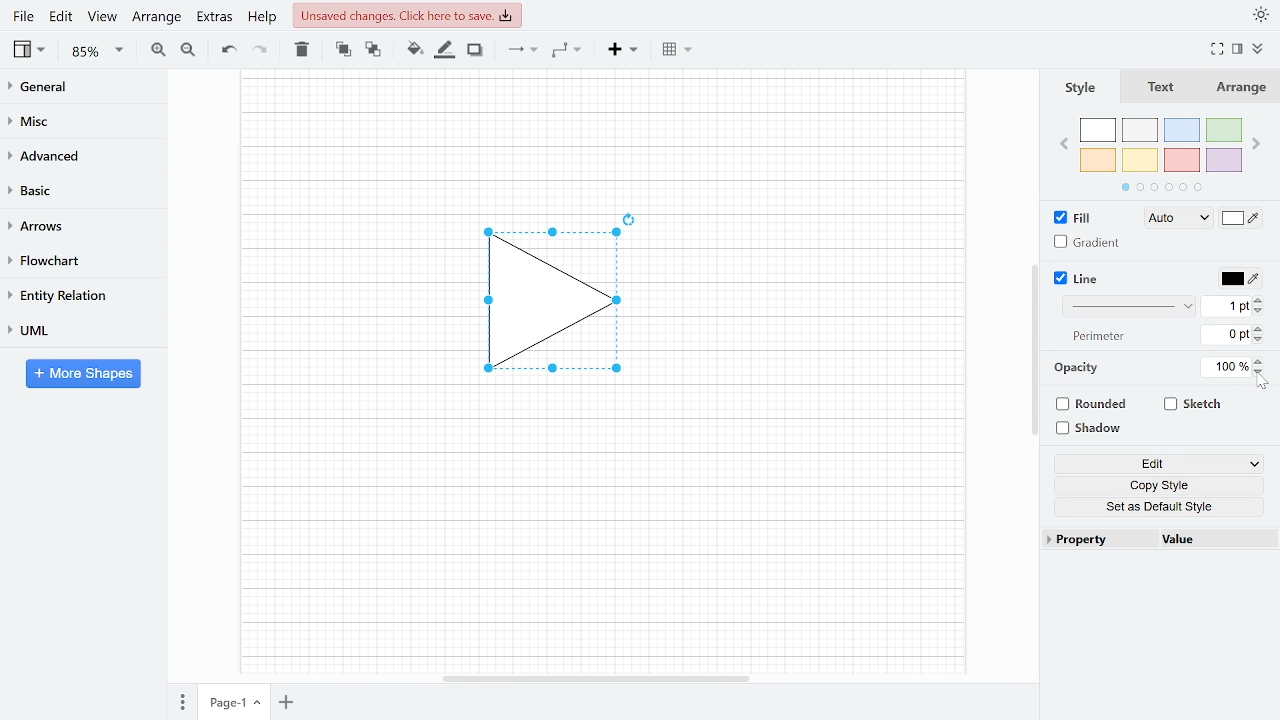  What do you see at coordinates (1260, 341) in the screenshot?
I see `Decrease perimeter` at bounding box center [1260, 341].